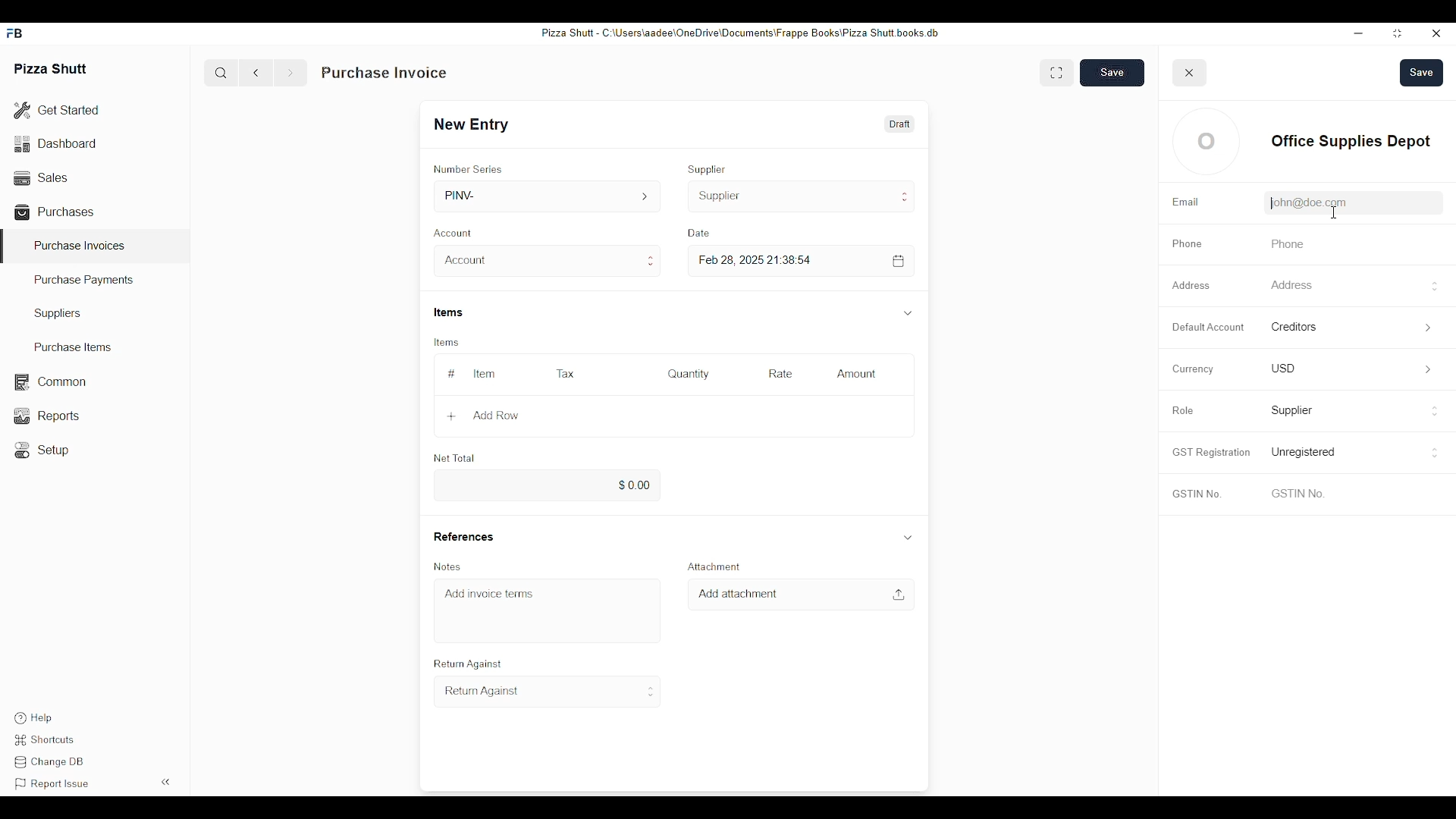 The width and height of the screenshot is (1456, 819). Describe the element at coordinates (858, 374) in the screenshot. I see `Amount` at that location.